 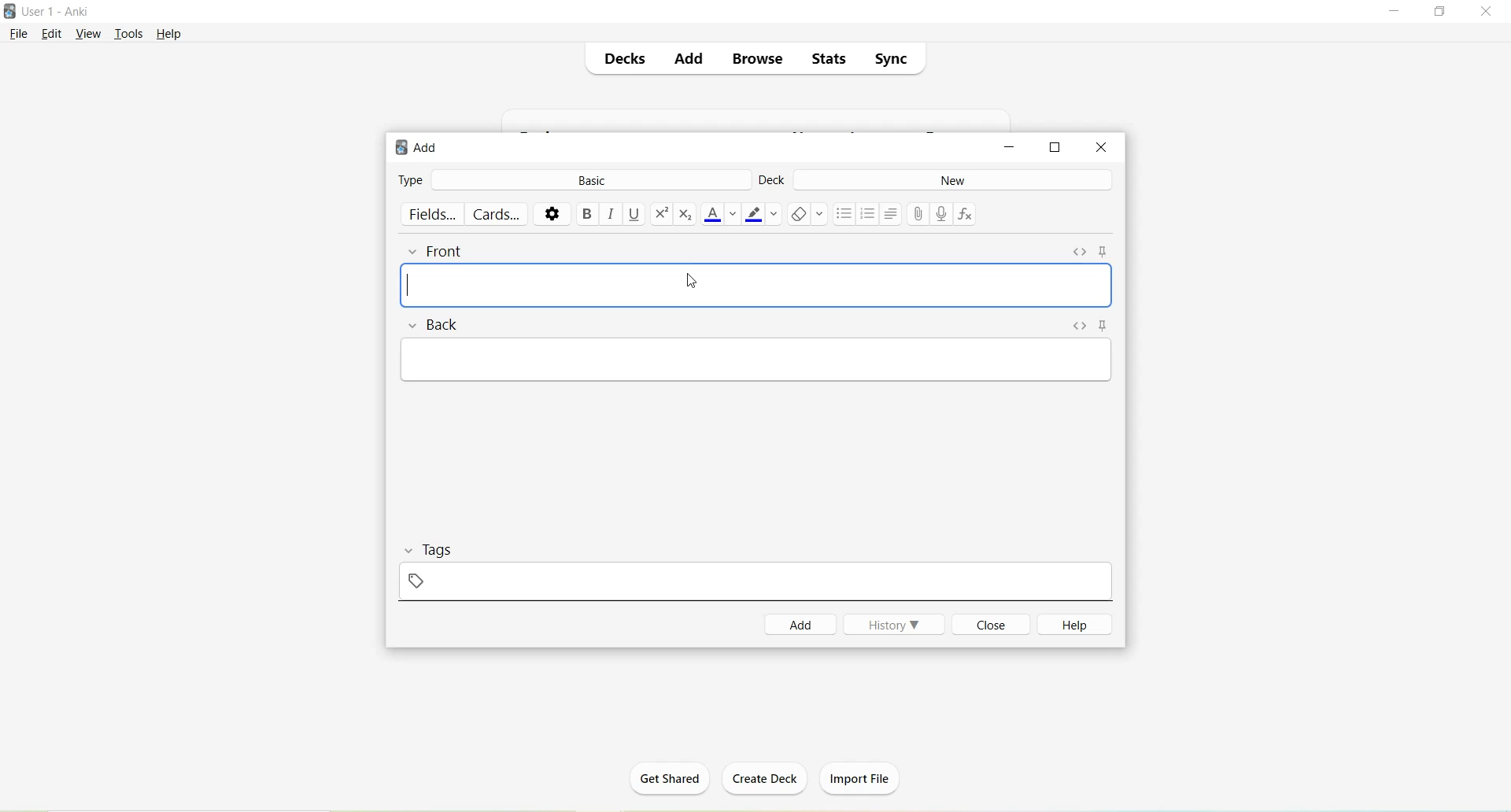 What do you see at coordinates (587, 213) in the screenshot?
I see `Bold` at bounding box center [587, 213].